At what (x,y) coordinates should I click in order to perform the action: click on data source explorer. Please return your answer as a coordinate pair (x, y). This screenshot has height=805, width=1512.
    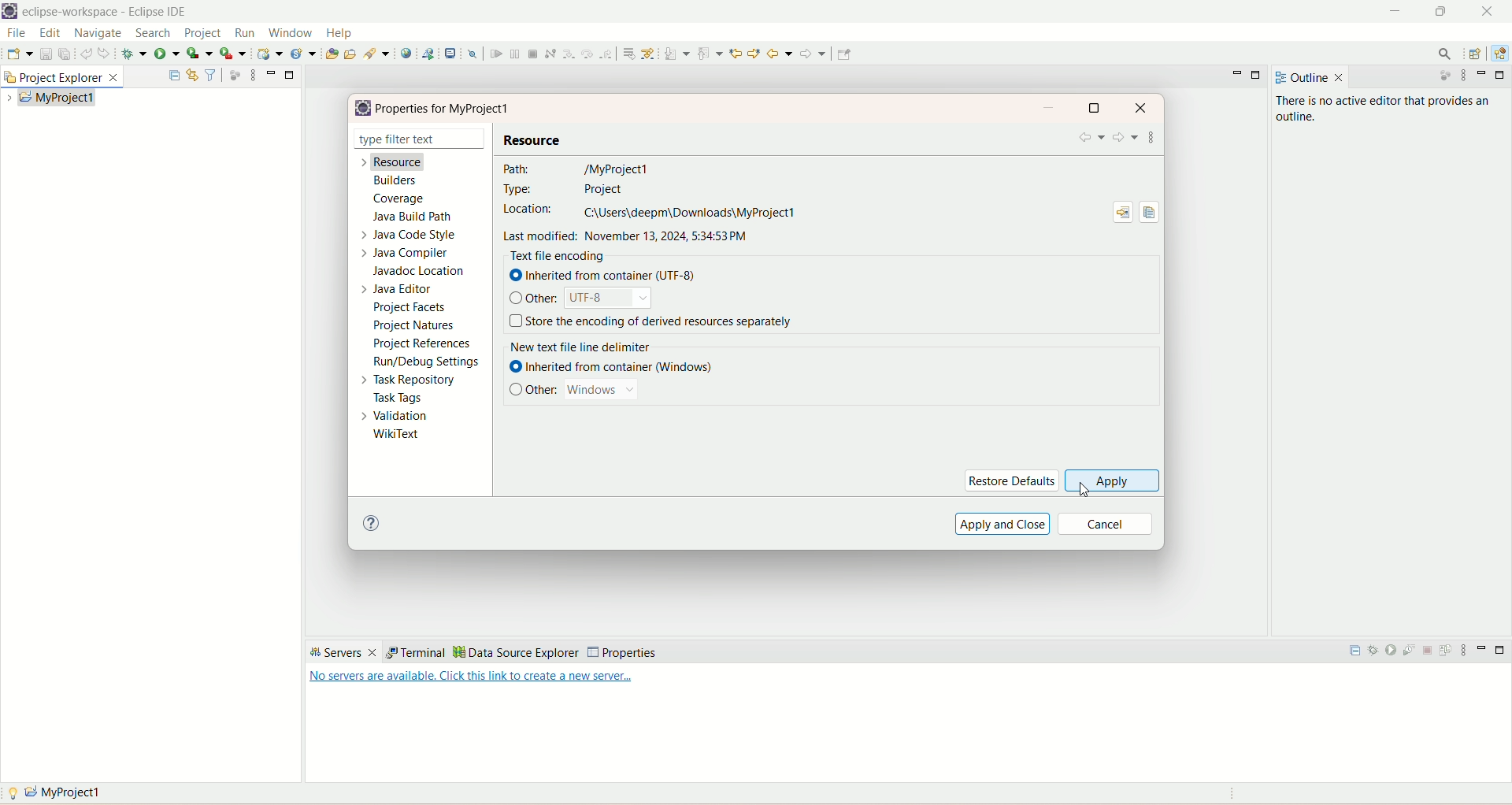
    Looking at the image, I should click on (517, 652).